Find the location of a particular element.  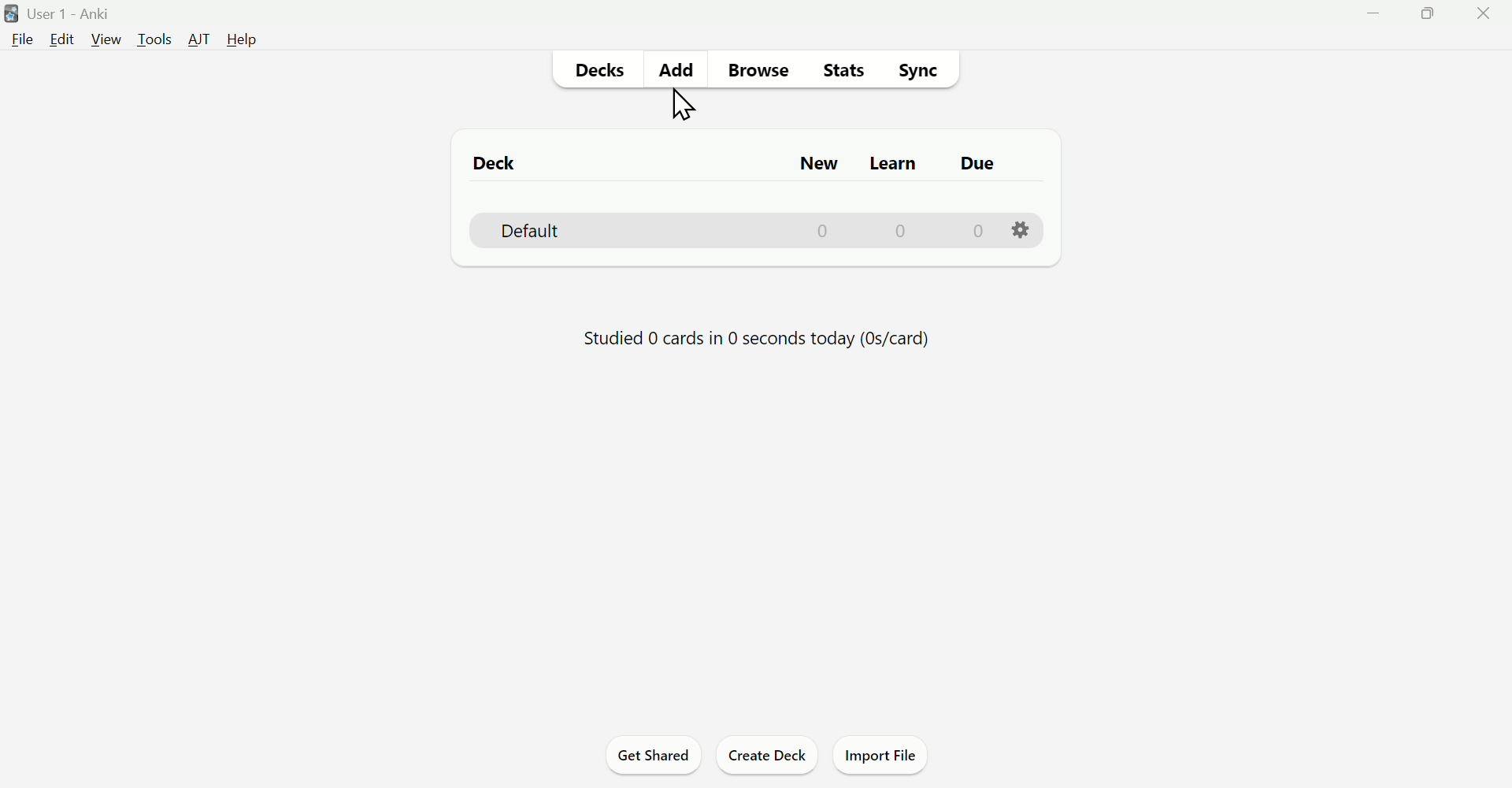

Learn is located at coordinates (901, 158).